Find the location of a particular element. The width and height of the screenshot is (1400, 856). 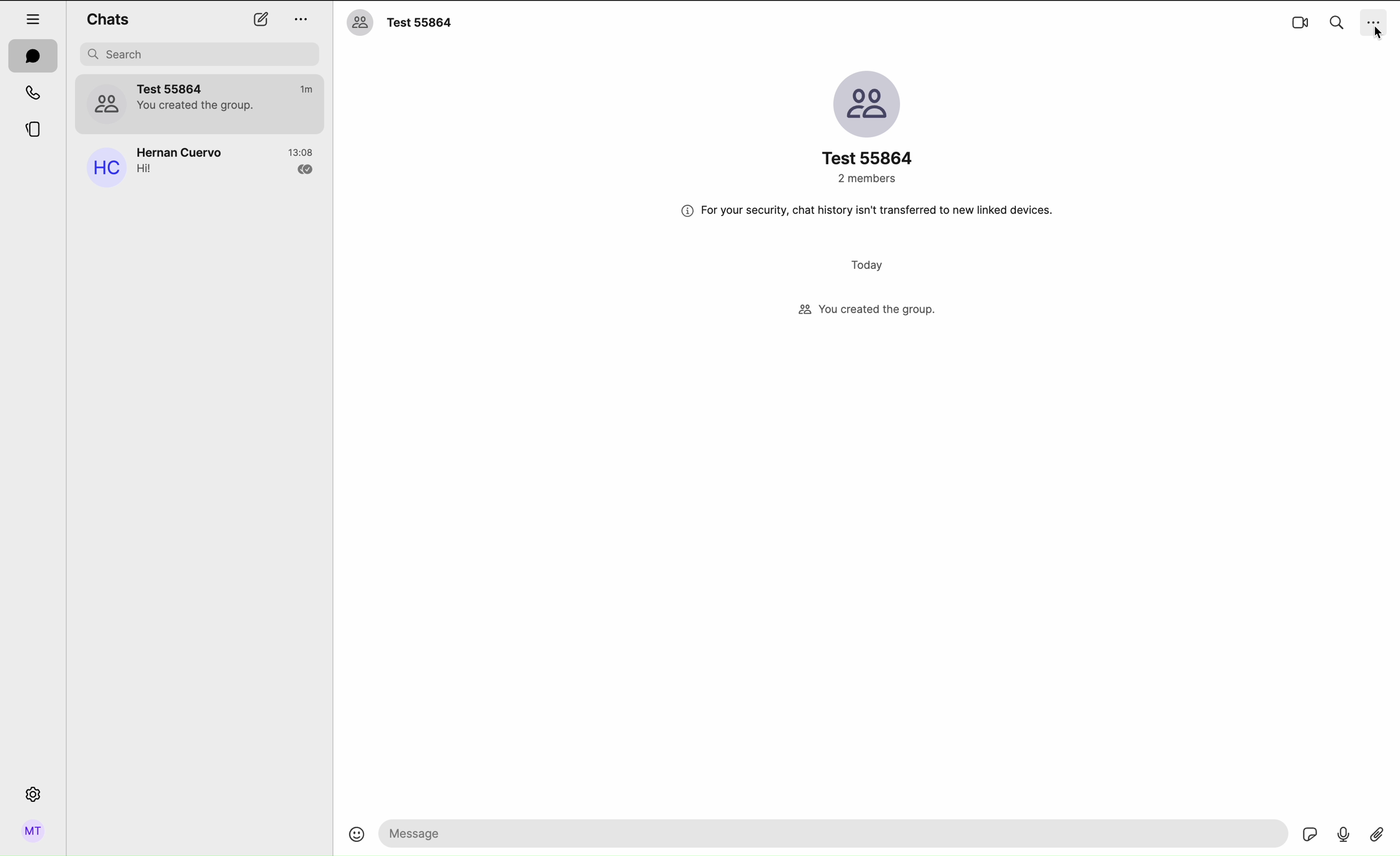

search is located at coordinates (1335, 22).